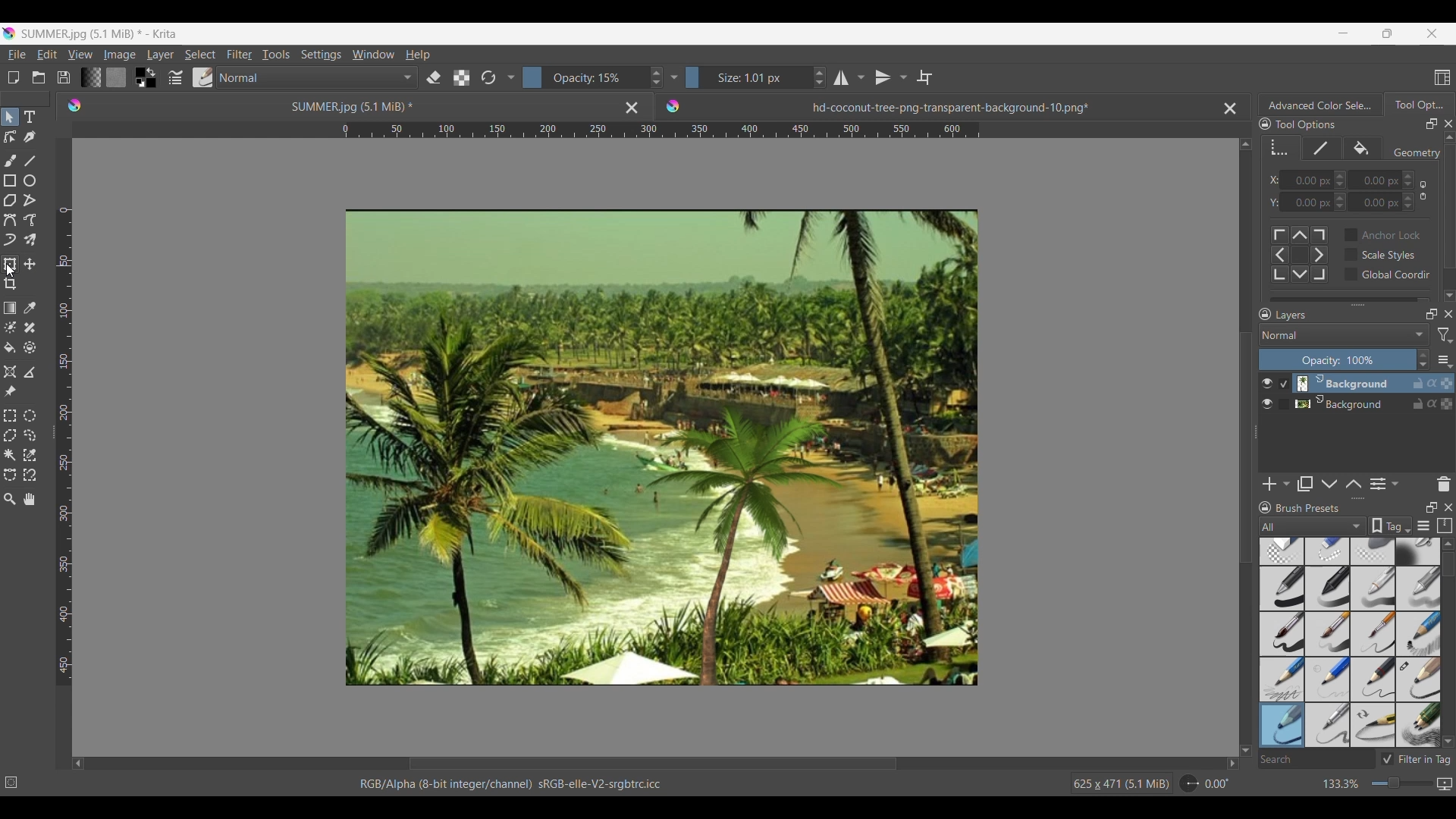 This screenshot has width=1456, height=819. Describe the element at coordinates (160, 55) in the screenshot. I see `Layer` at that location.